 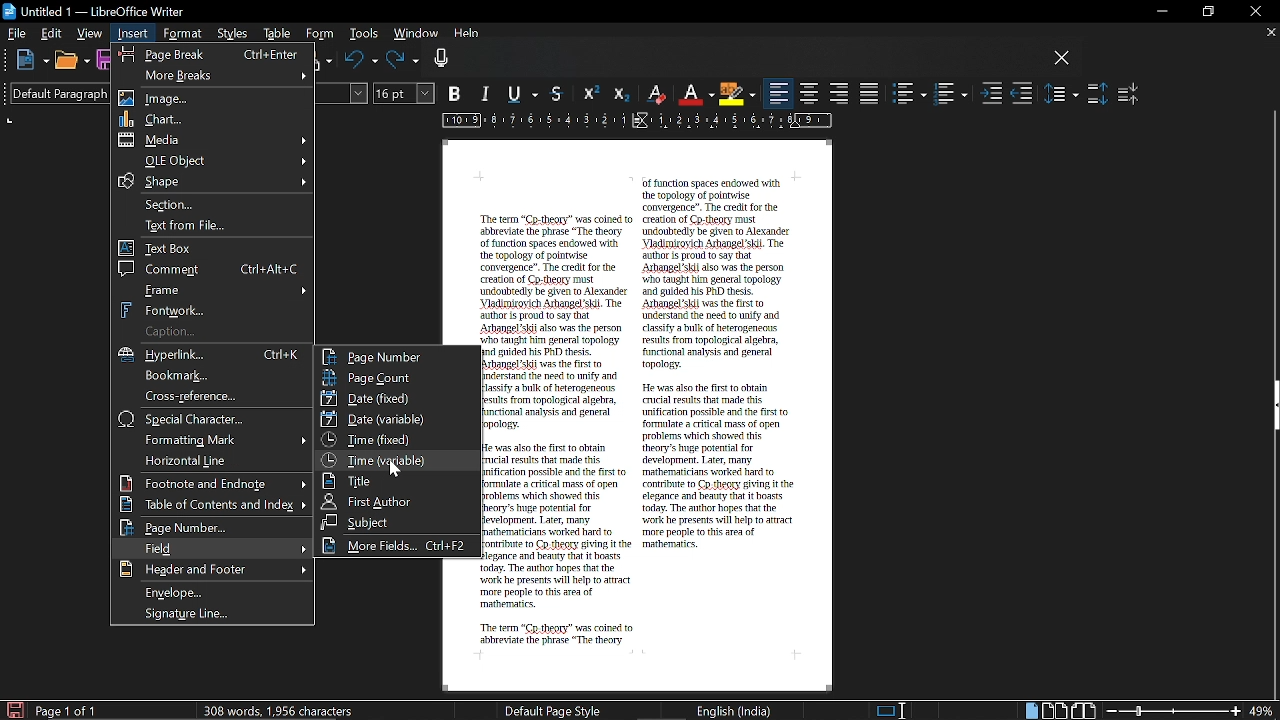 What do you see at coordinates (211, 396) in the screenshot?
I see `cross reference` at bounding box center [211, 396].